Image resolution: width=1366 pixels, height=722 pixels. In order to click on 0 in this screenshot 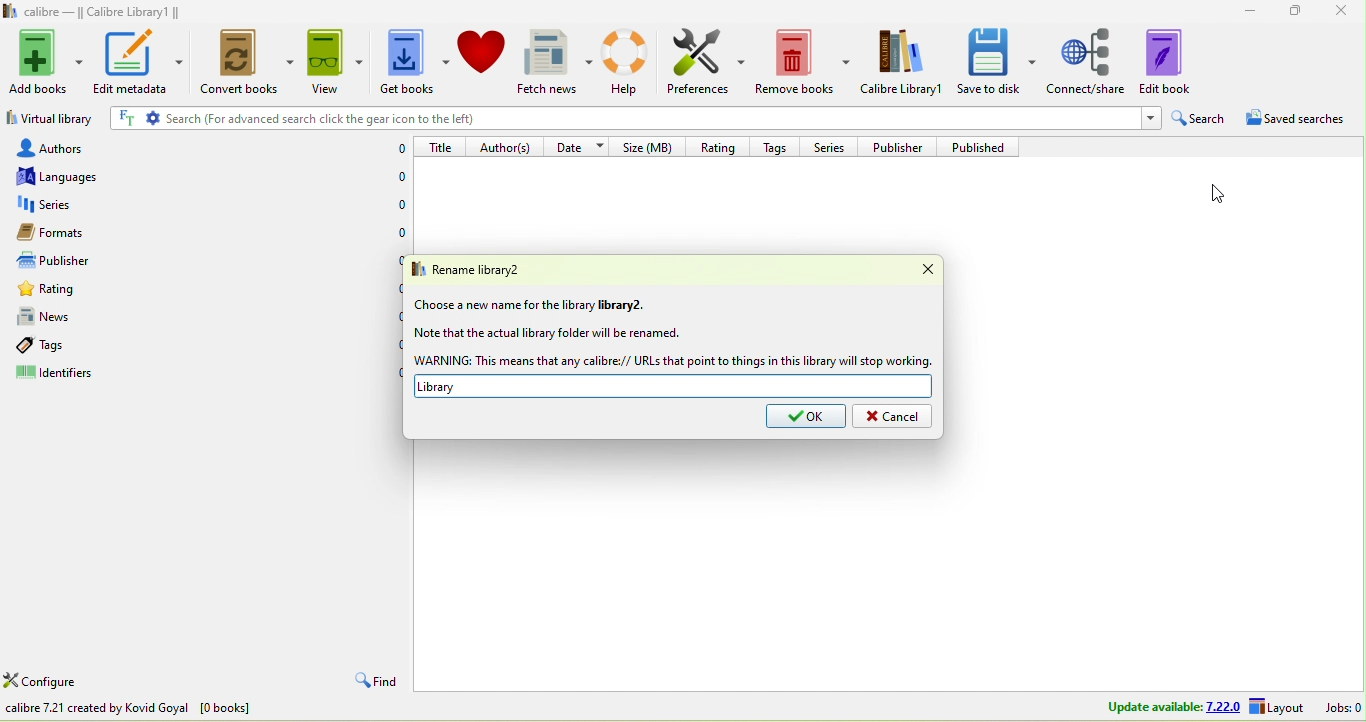, I will do `click(401, 179)`.